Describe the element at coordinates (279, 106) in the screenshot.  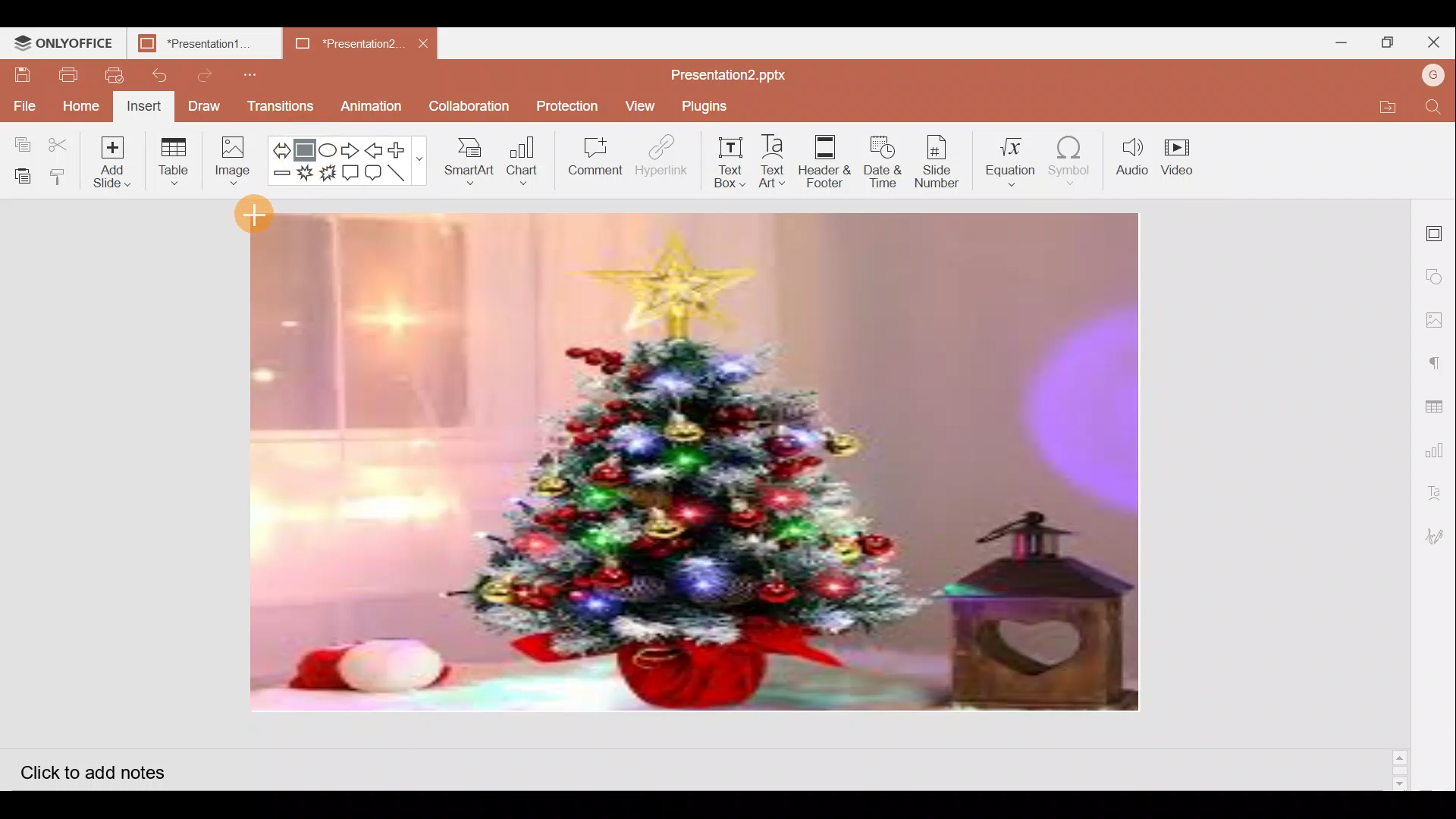
I see `Transitions` at that location.